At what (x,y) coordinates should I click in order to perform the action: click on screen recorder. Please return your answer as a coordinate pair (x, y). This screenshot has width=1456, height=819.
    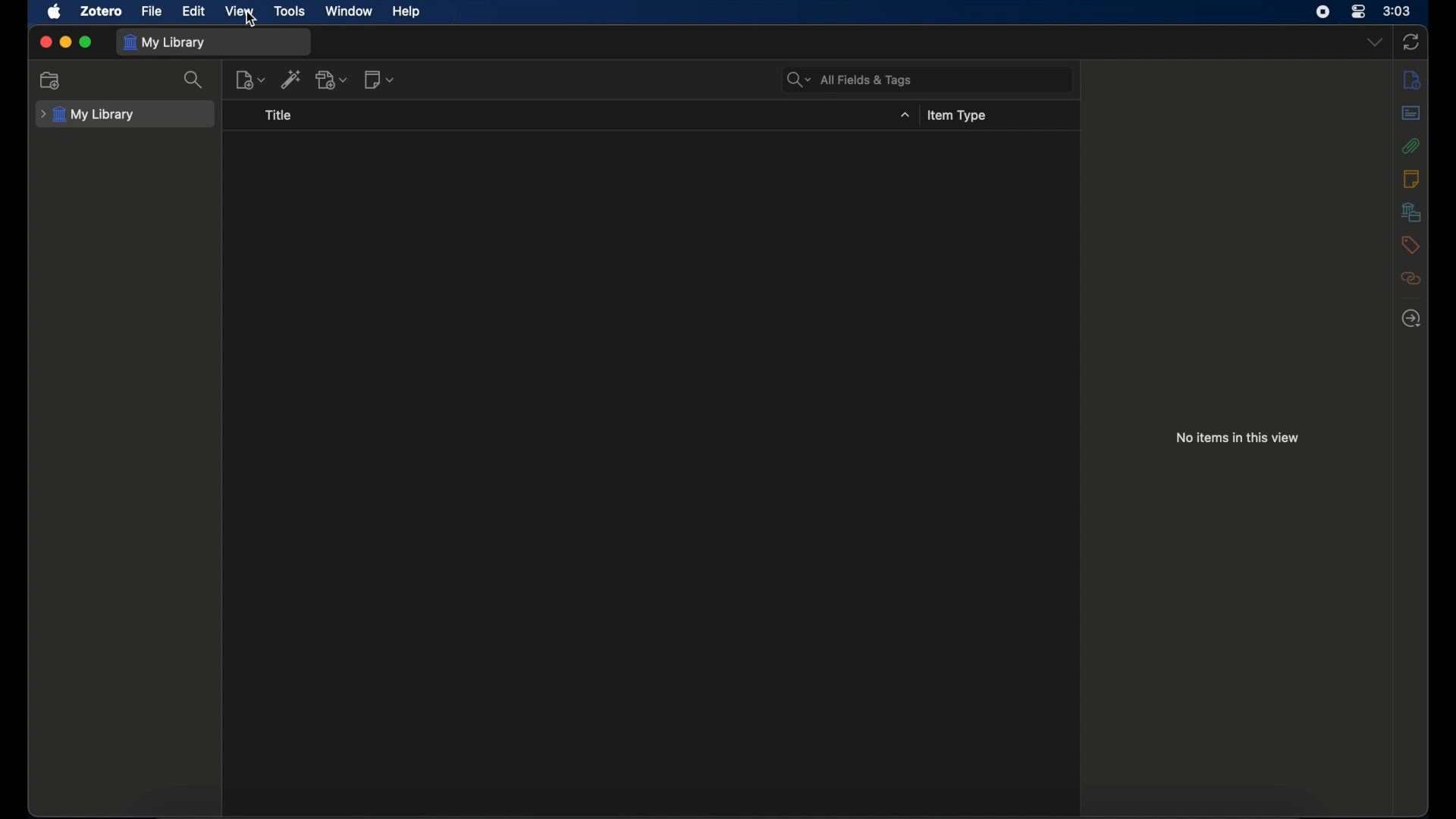
    Looking at the image, I should click on (1323, 12).